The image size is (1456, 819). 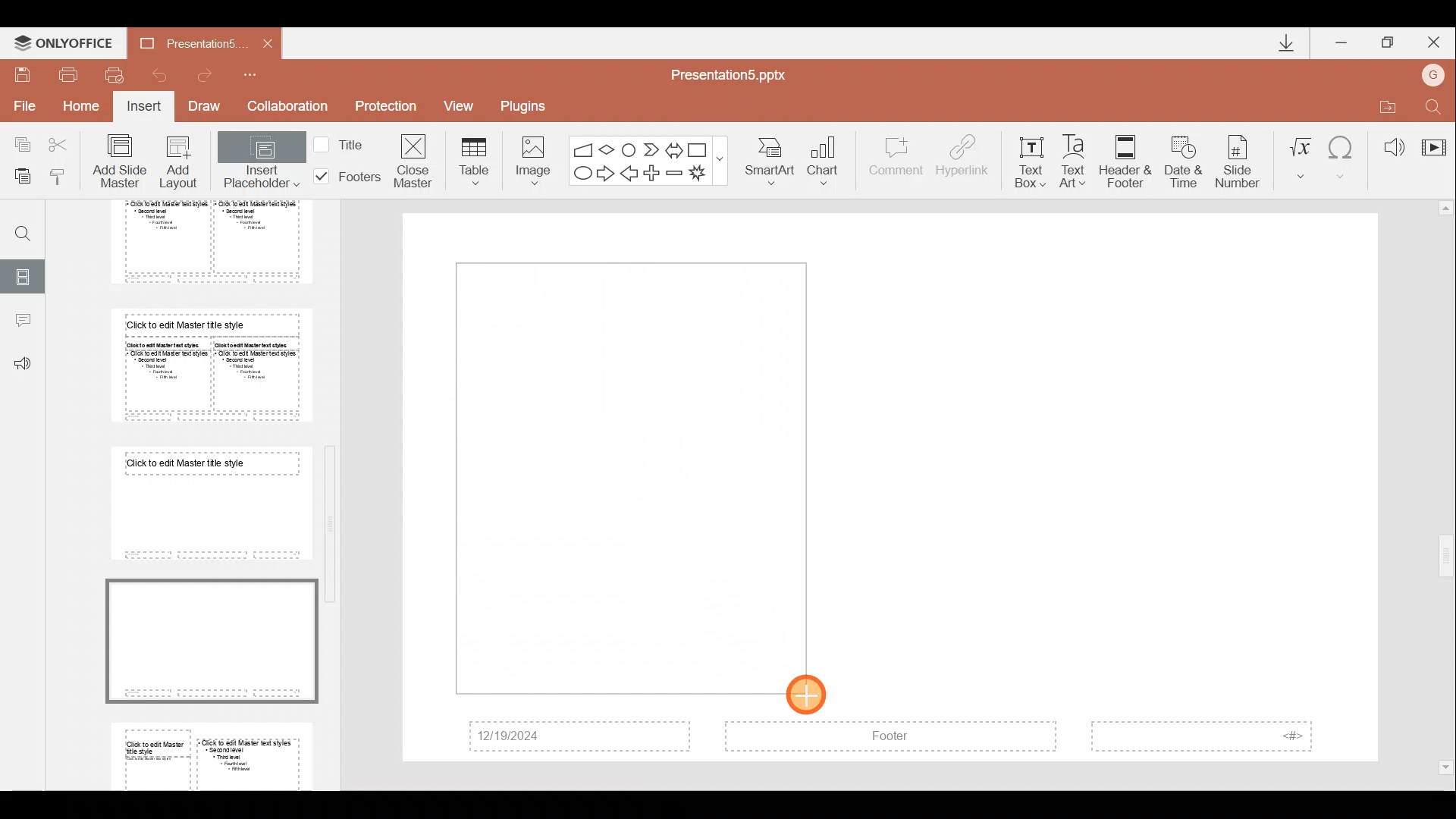 I want to click on View, so click(x=464, y=105).